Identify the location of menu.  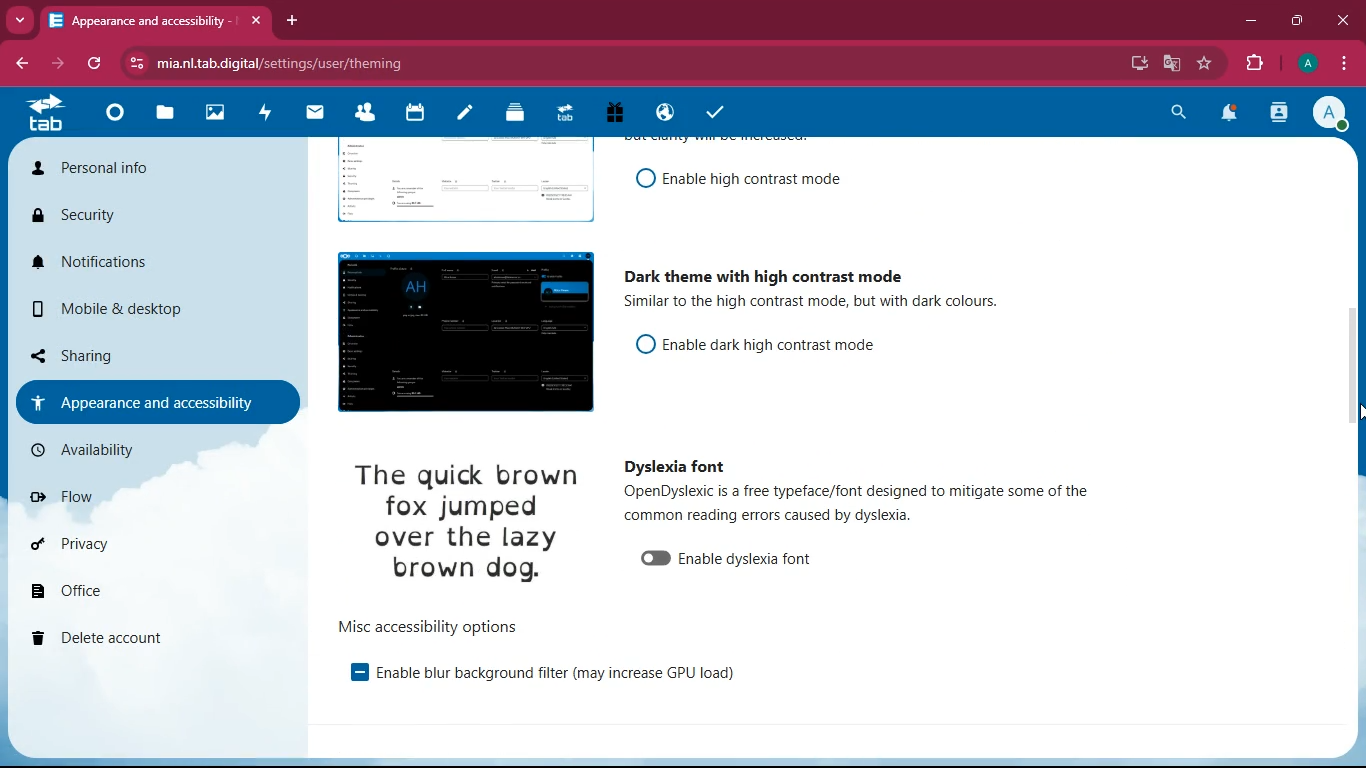
(1347, 63).